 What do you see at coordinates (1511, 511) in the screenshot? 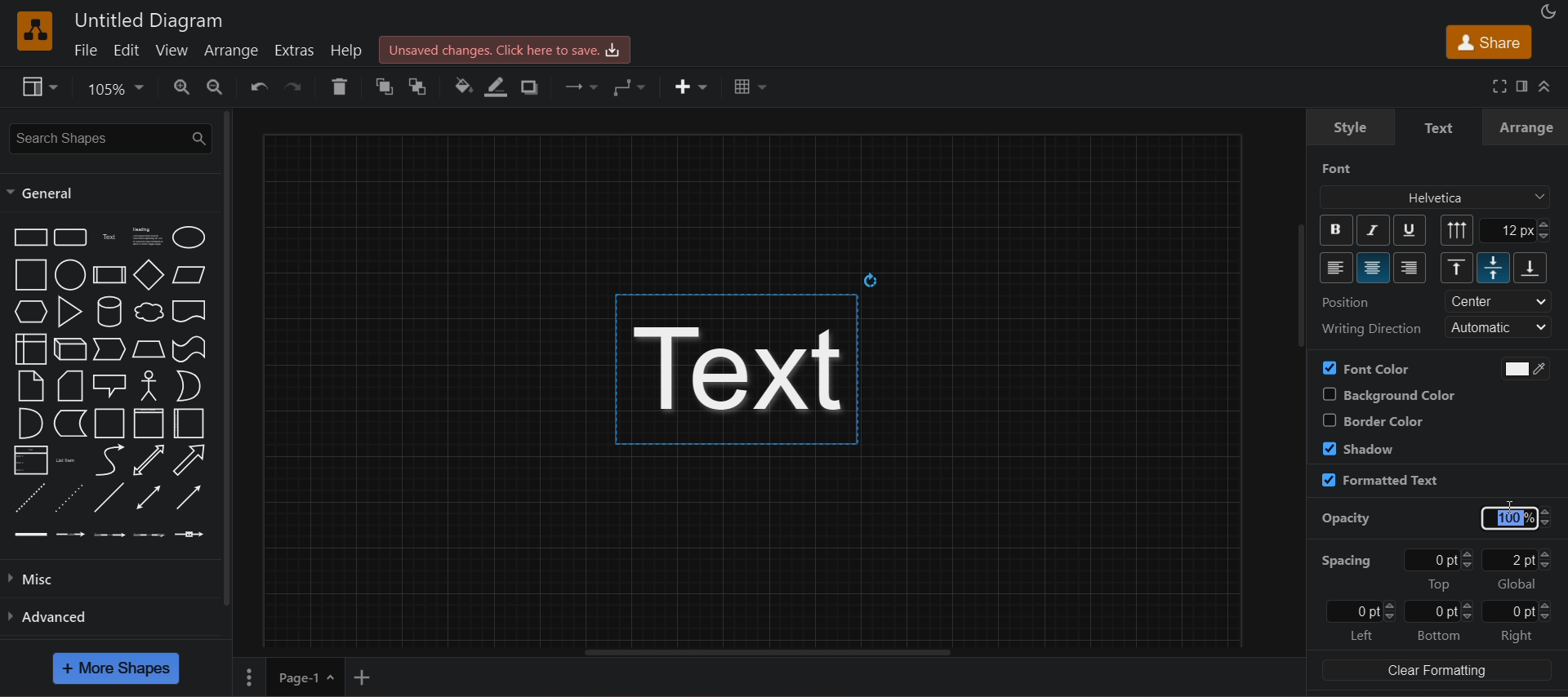
I see `cursor` at bounding box center [1511, 511].